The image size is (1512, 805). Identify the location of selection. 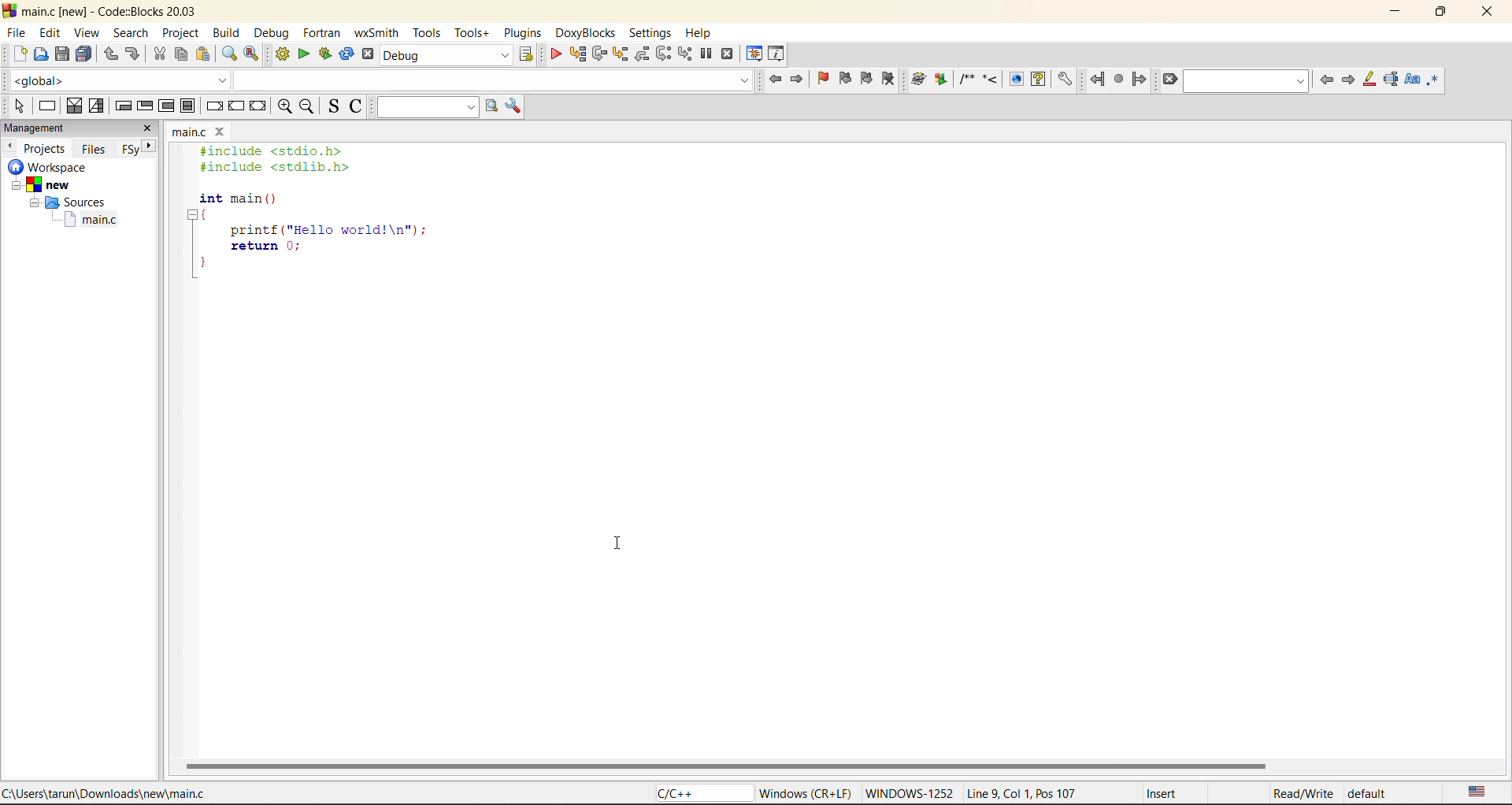
(98, 106).